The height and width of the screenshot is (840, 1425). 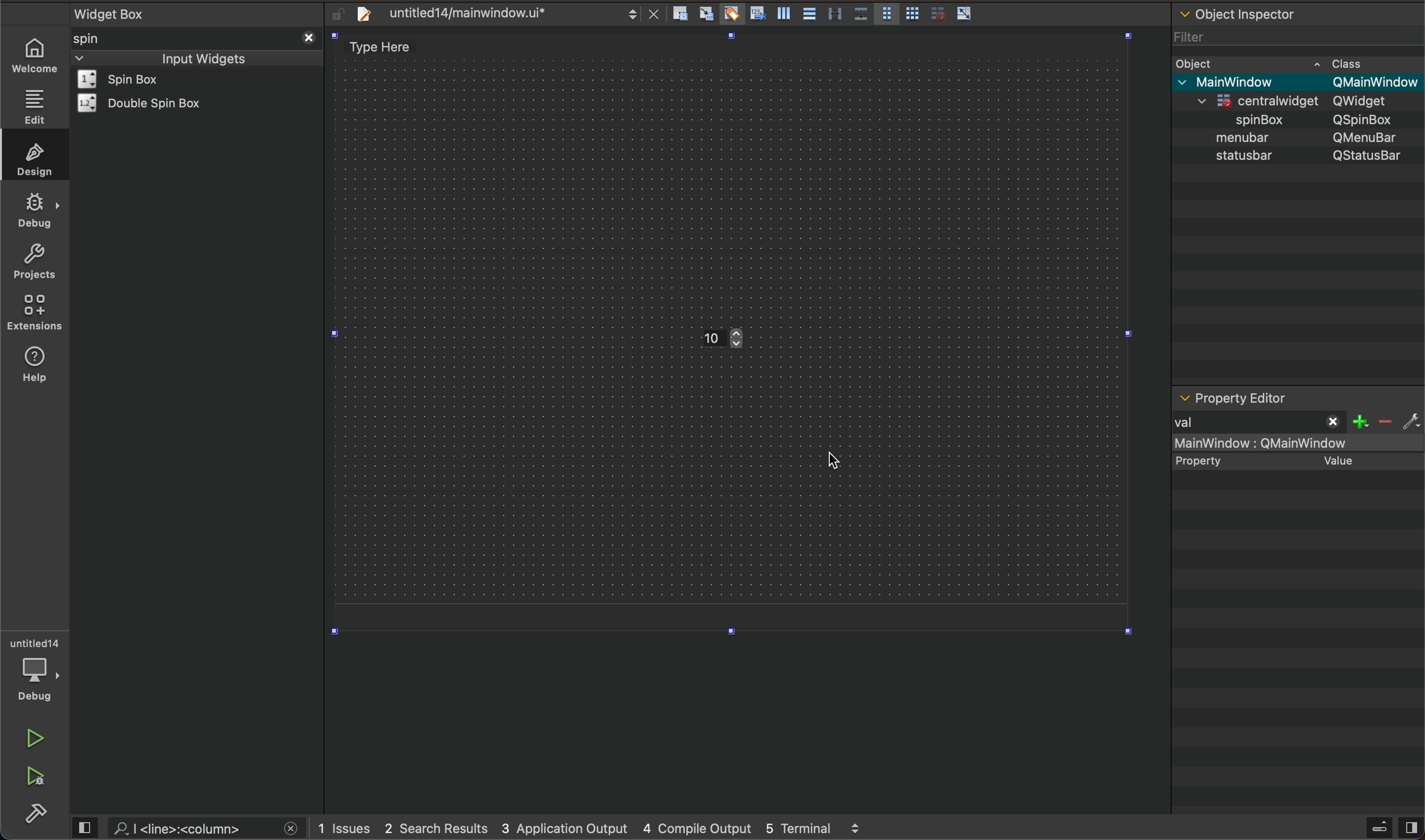 I want to click on widget, so click(x=146, y=103).